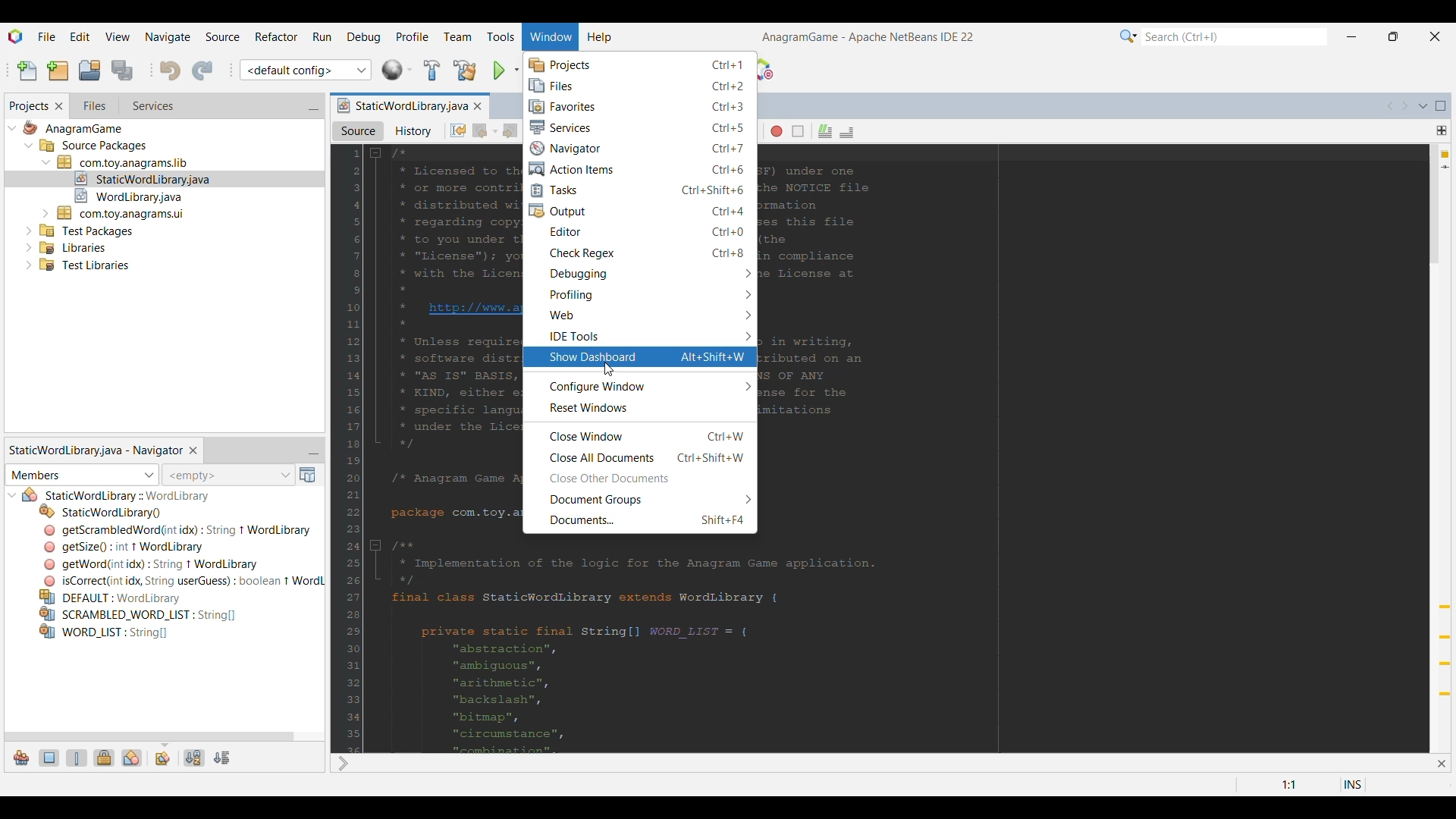  I want to click on Select project configuration or Customize, so click(306, 70).